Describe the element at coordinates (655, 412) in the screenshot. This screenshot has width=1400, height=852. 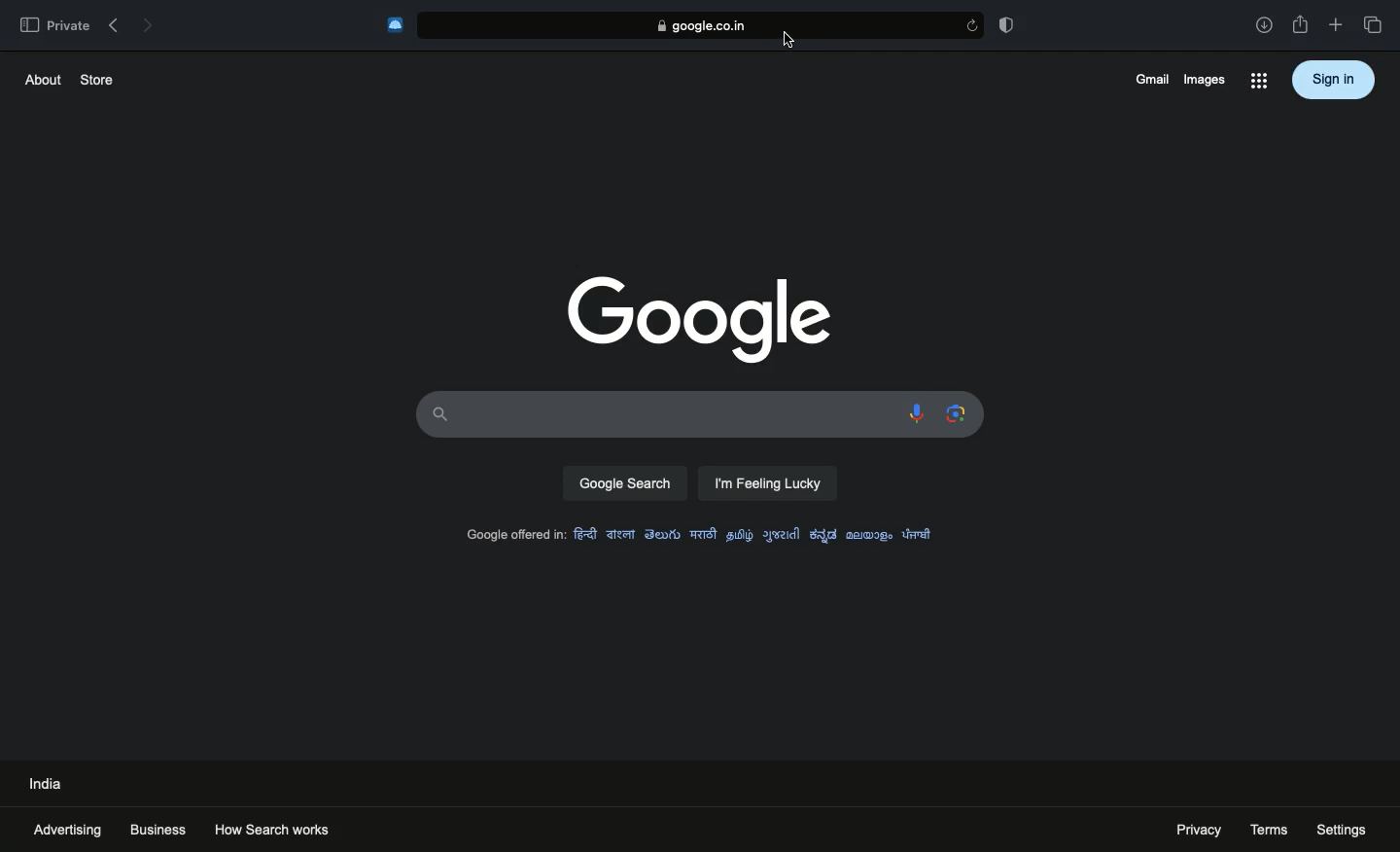
I see `search bar` at that location.